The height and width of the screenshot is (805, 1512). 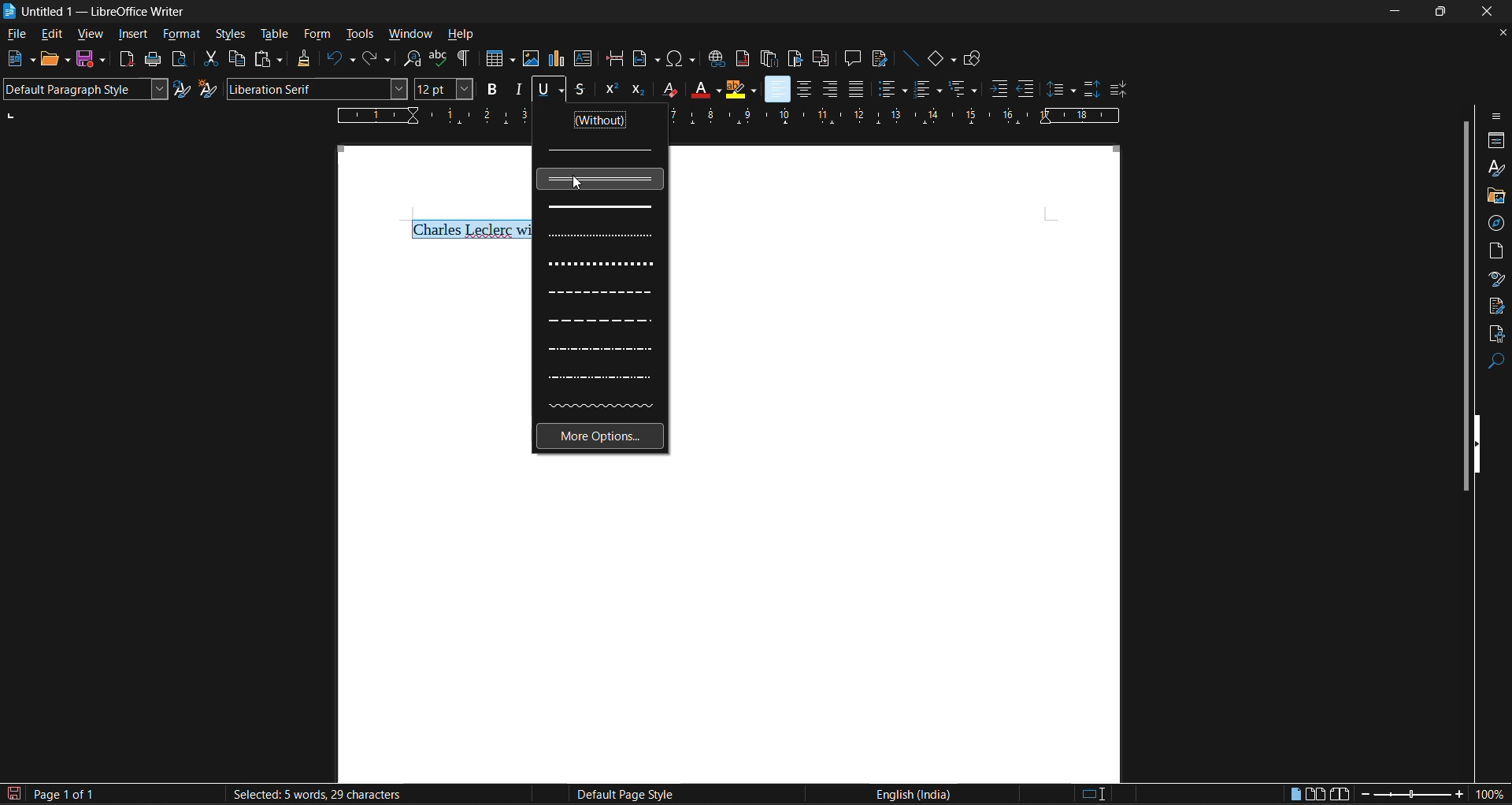 What do you see at coordinates (645, 60) in the screenshot?
I see `insert field` at bounding box center [645, 60].